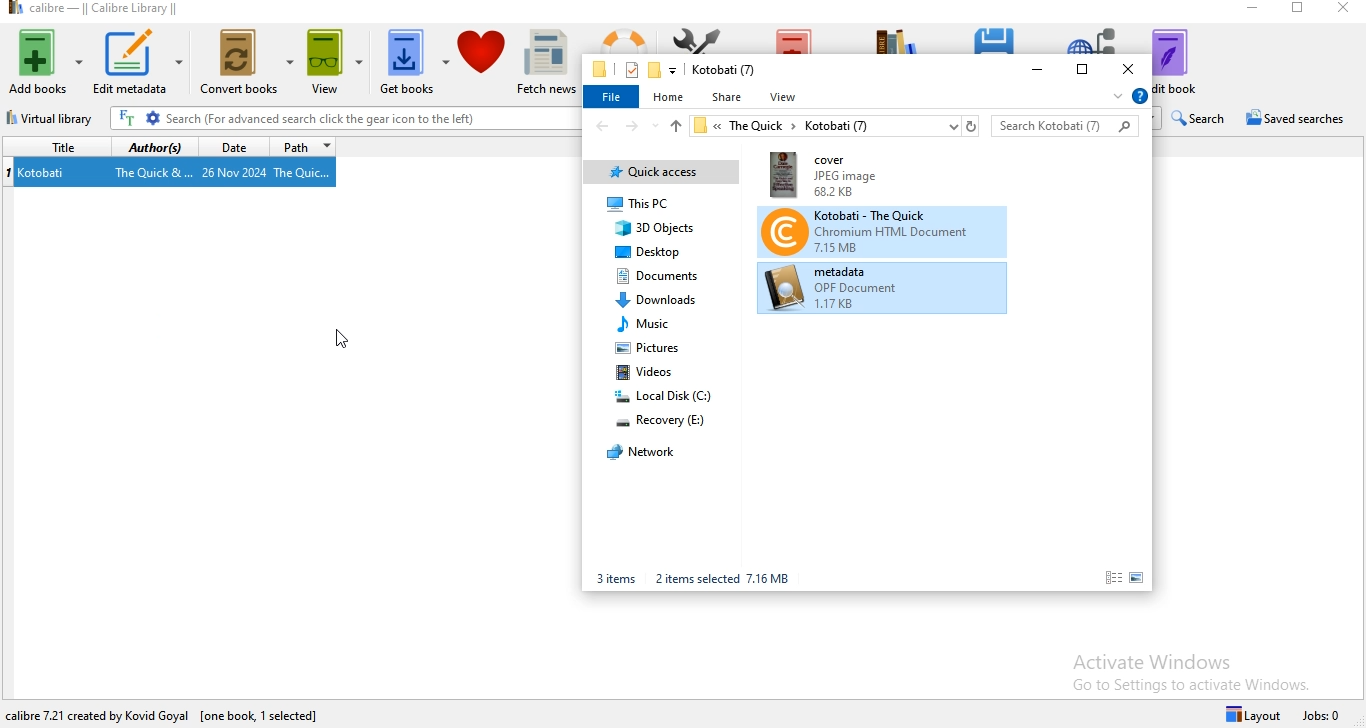 This screenshot has width=1366, height=728. I want to click on 3d objects, so click(658, 228).